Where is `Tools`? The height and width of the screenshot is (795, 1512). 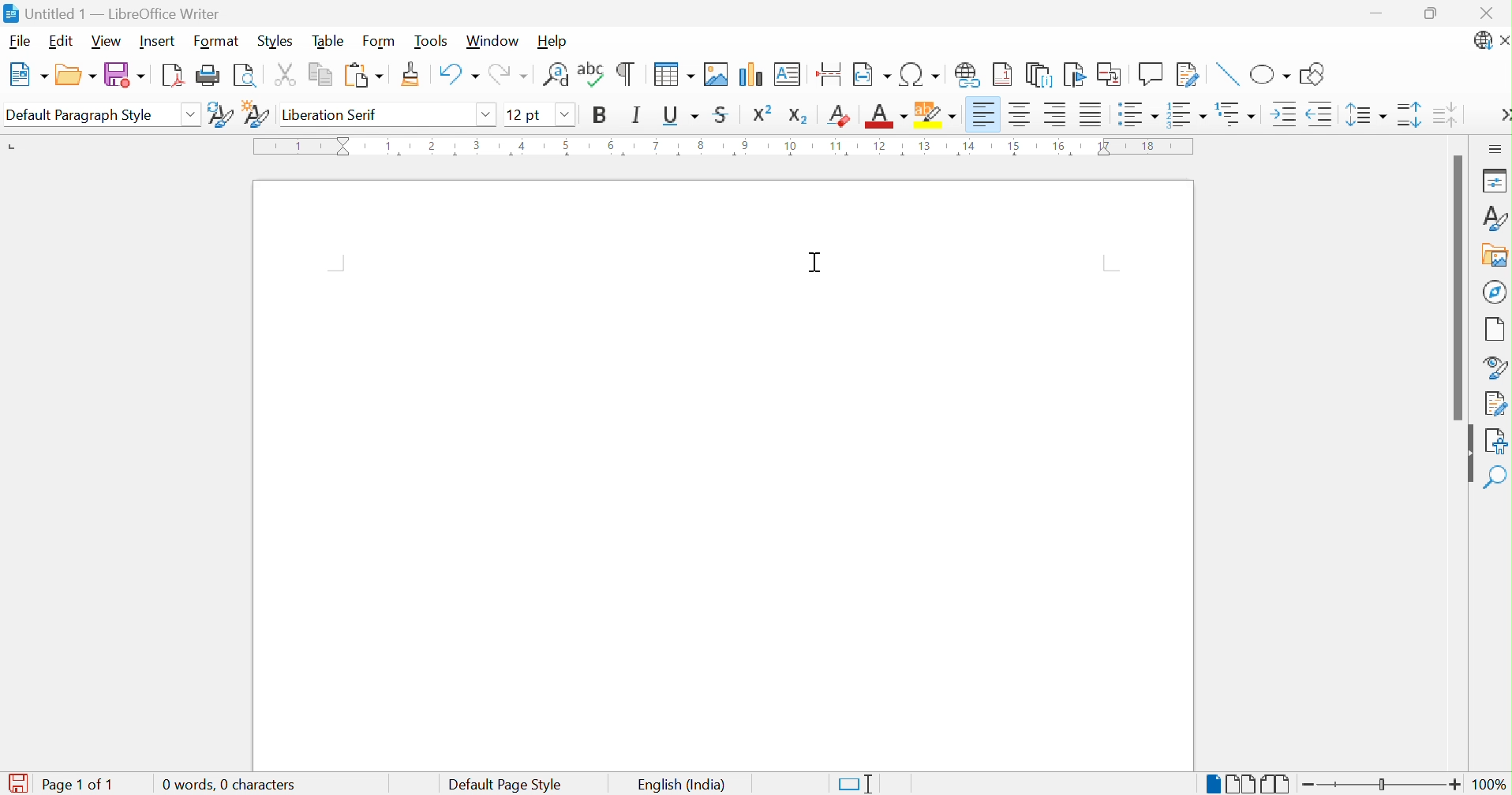
Tools is located at coordinates (431, 41).